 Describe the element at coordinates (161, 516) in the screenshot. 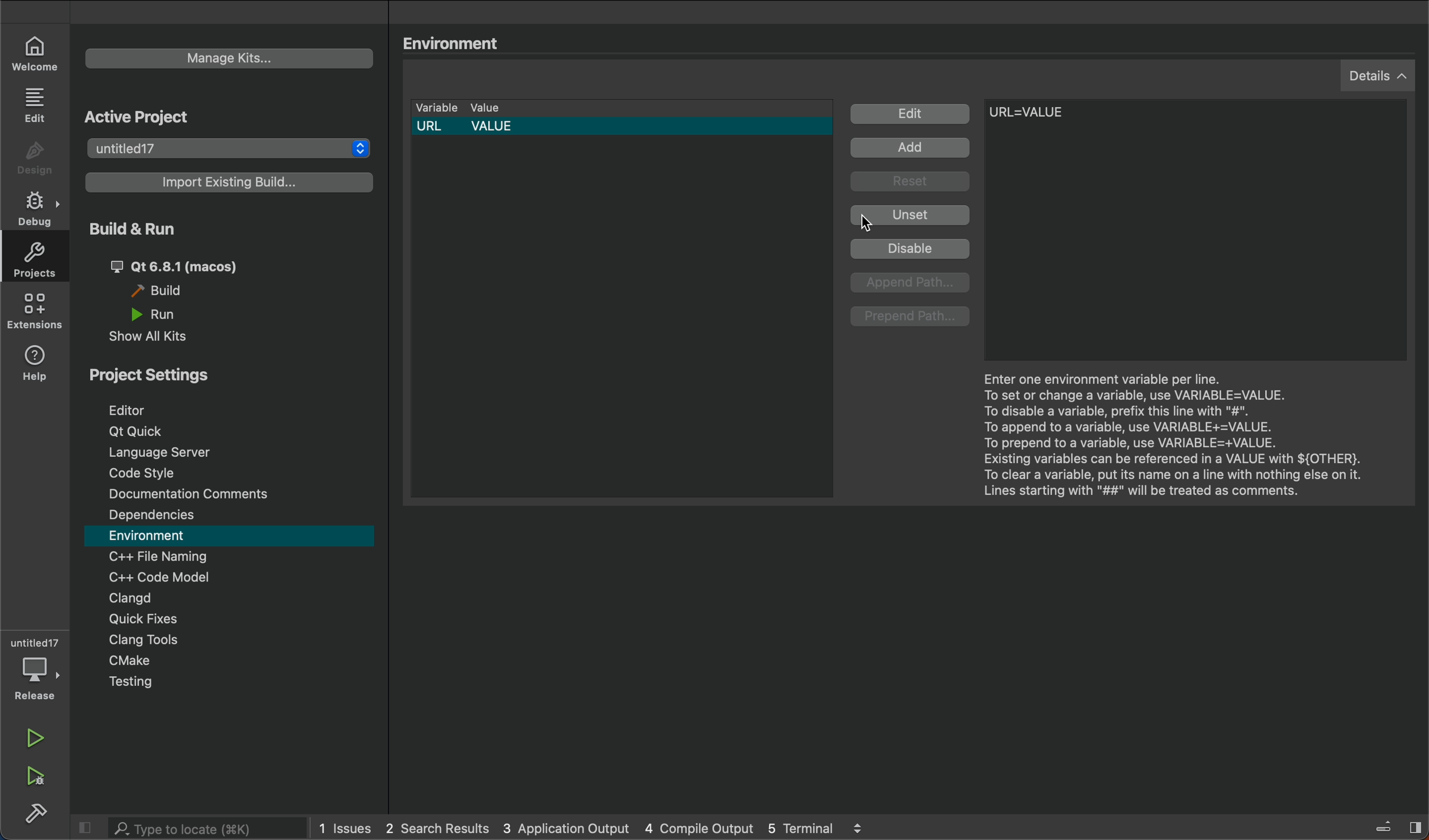

I see `dependencies` at that location.